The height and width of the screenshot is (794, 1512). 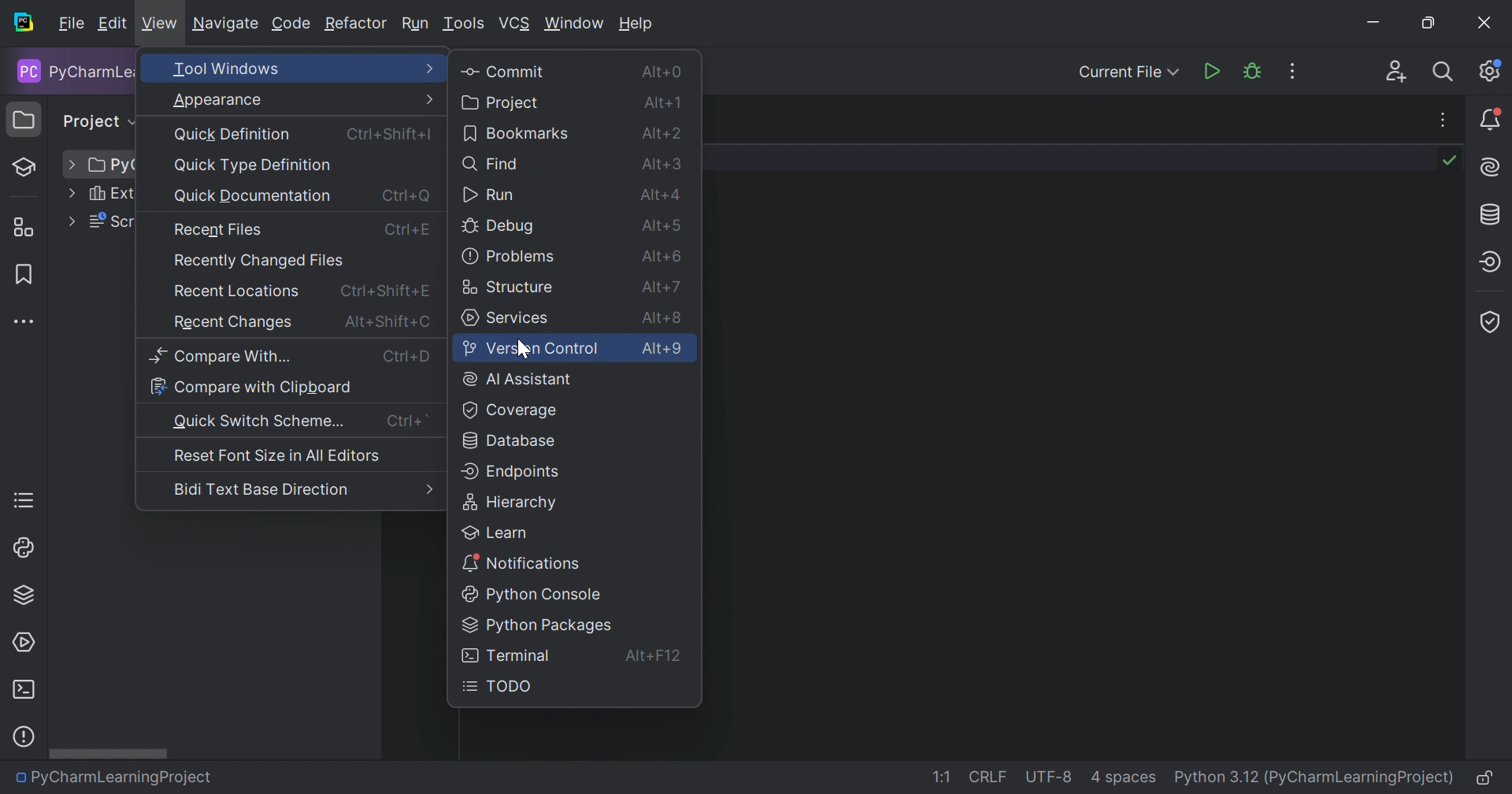 I want to click on View, so click(x=159, y=26).